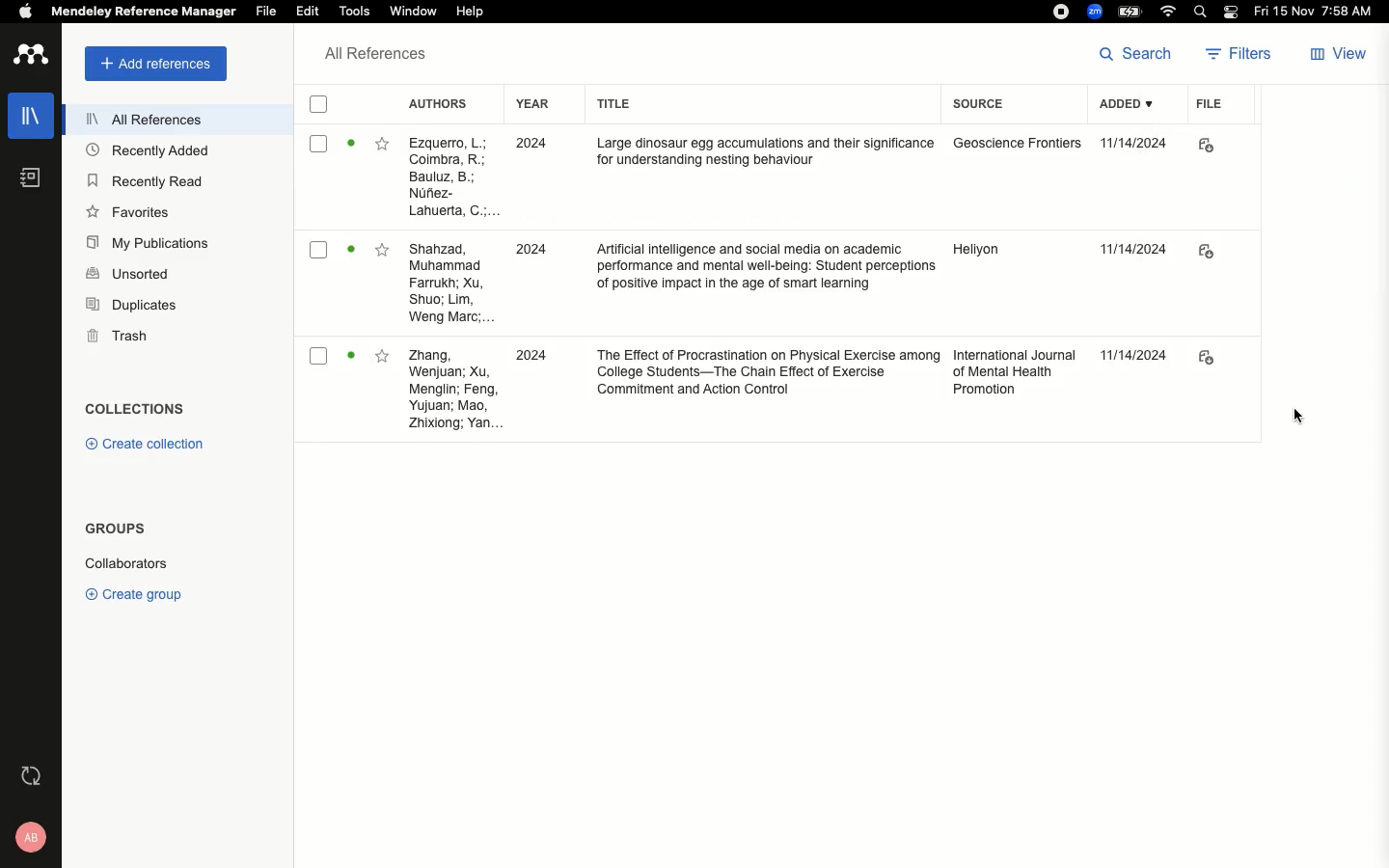 Image resolution: width=1389 pixels, height=868 pixels. What do you see at coordinates (416, 13) in the screenshot?
I see `Window` at bounding box center [416, 13].